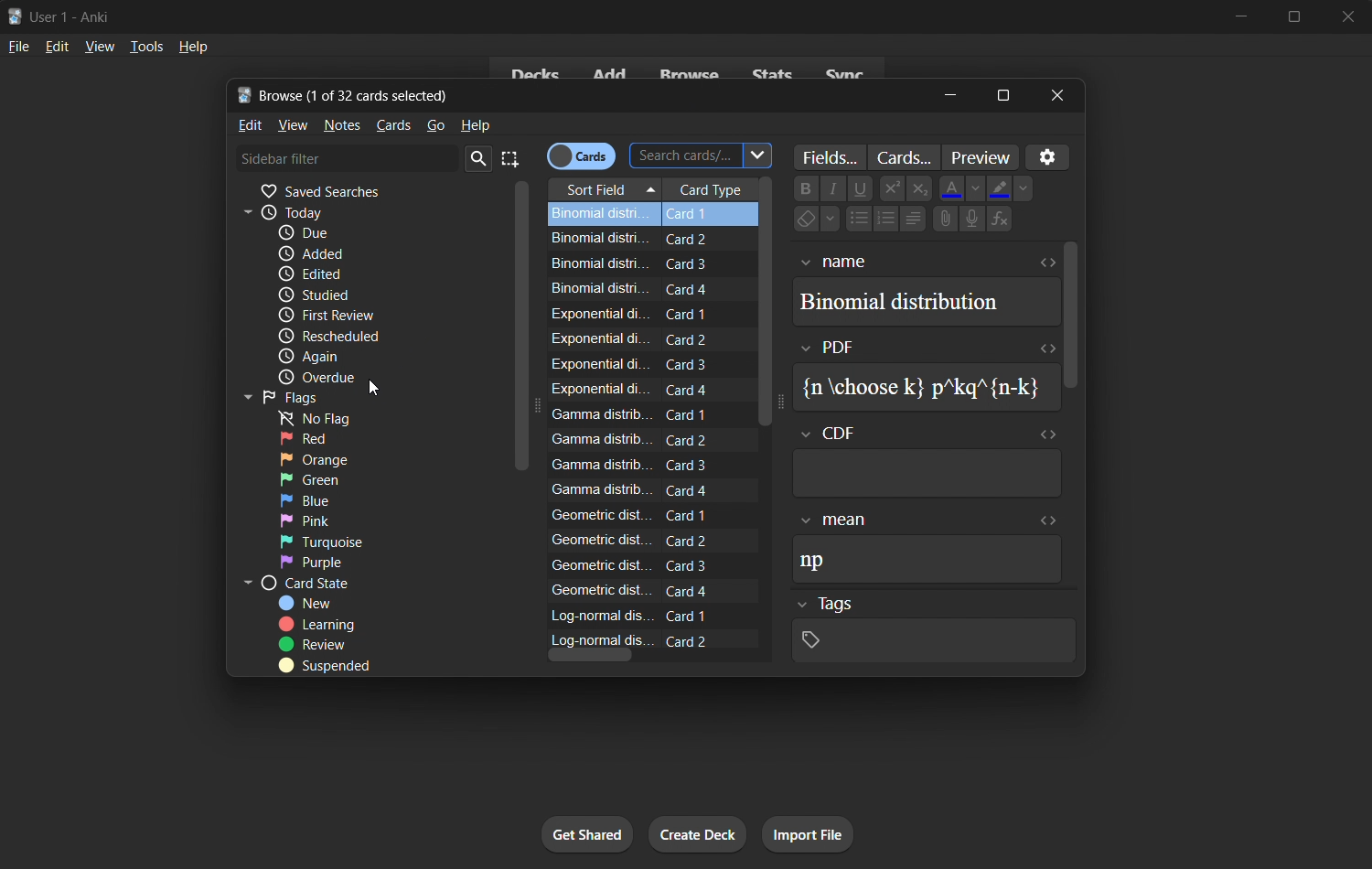  What do you see at coordinates (699, 517) in the screenshot?
I see `Card 1` at bounding box center [699, 517].